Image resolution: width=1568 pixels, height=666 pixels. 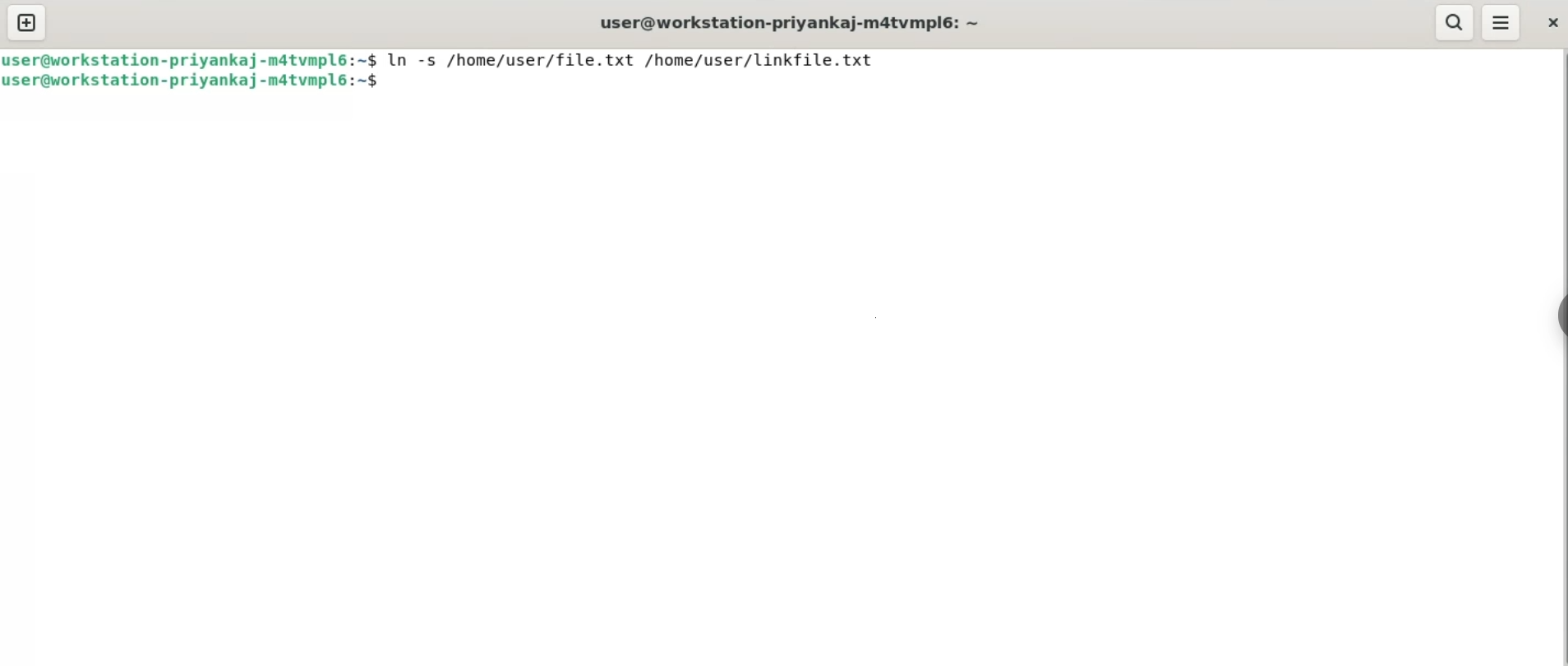 What do you see at coordinates (390, 82) in the screenshot?
I see `cursor` at bounding box center [390, 82].